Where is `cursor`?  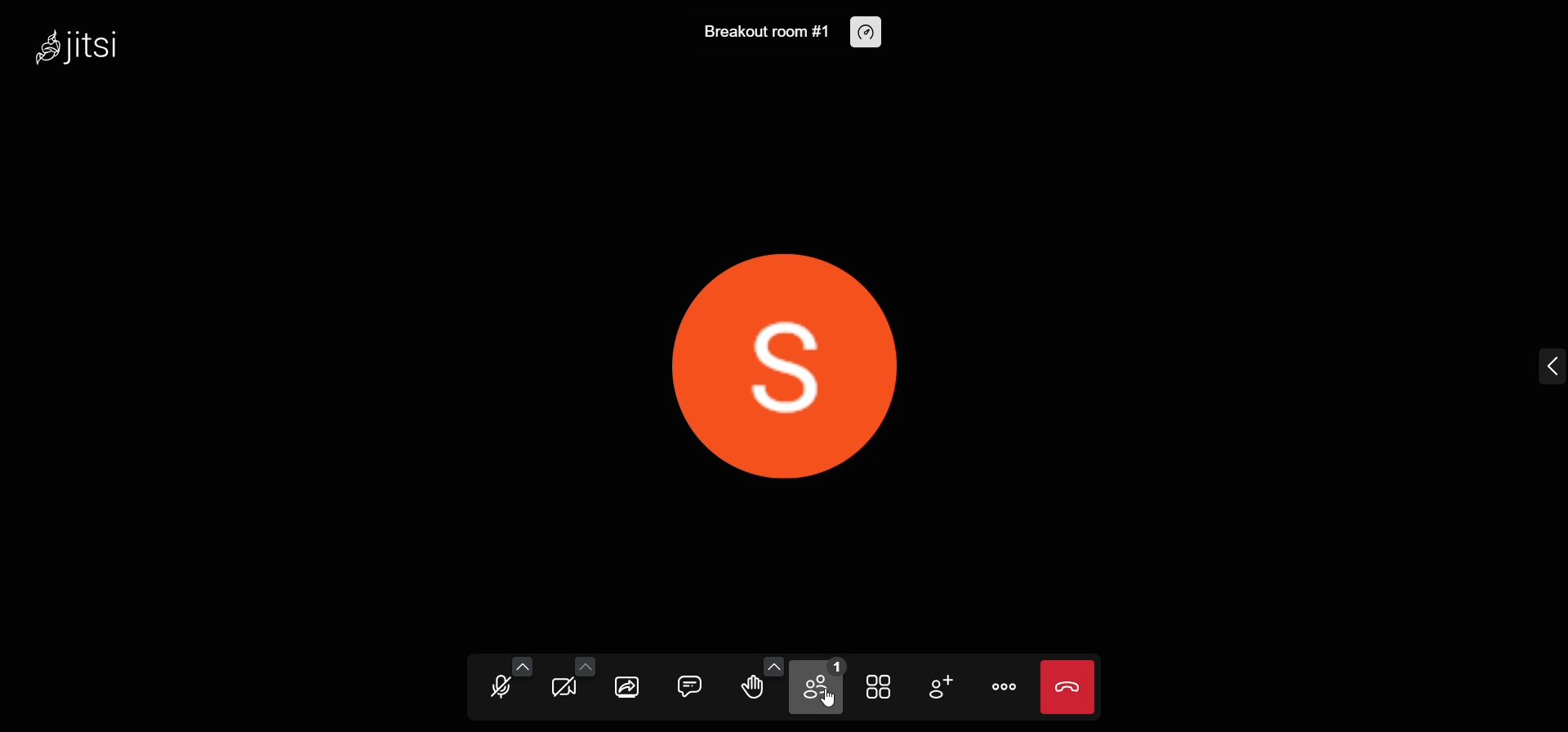 cursor is located at coordinates (834, 707).